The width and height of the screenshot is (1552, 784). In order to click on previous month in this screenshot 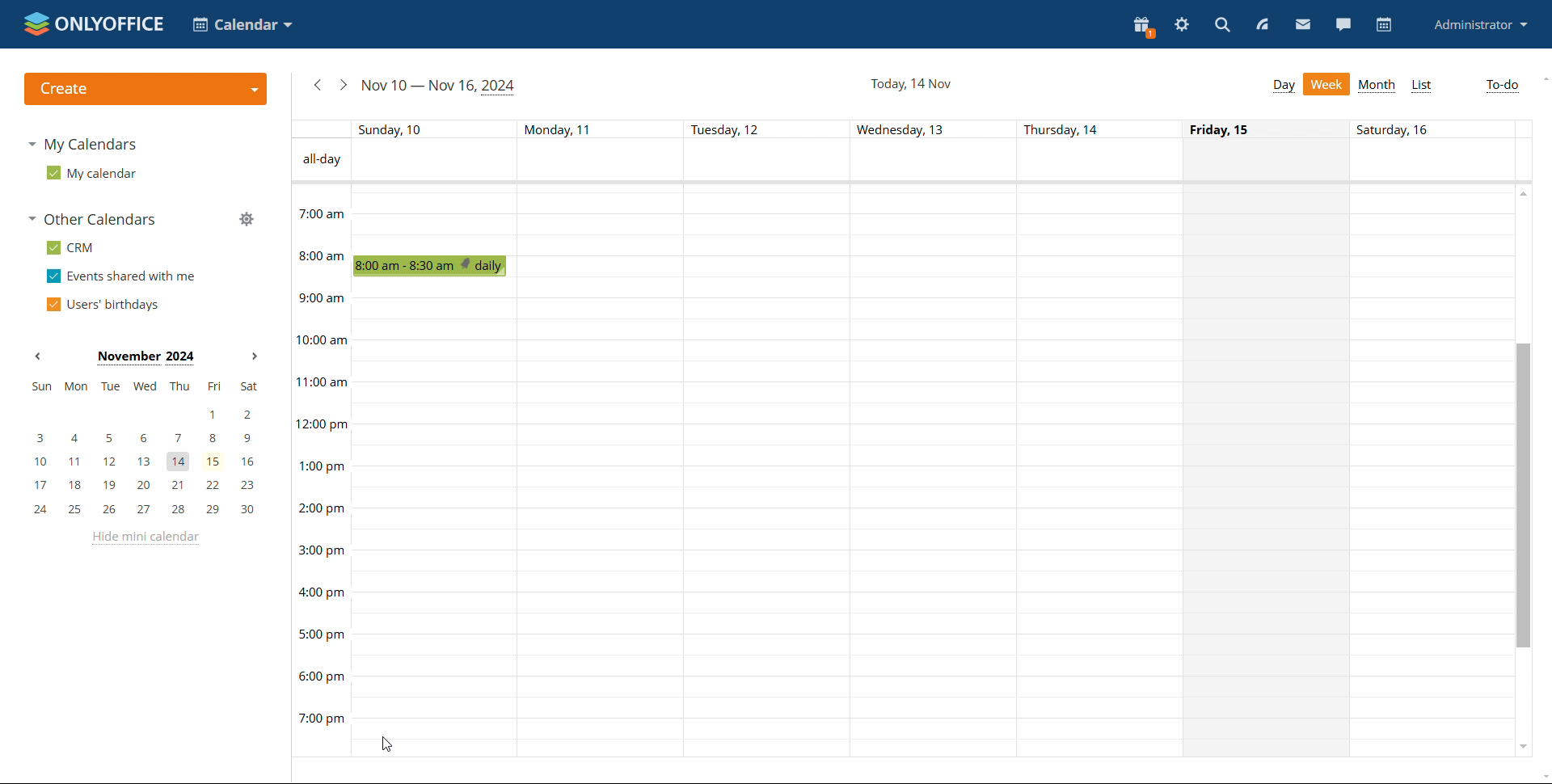, I will do `click(37, 356)`.